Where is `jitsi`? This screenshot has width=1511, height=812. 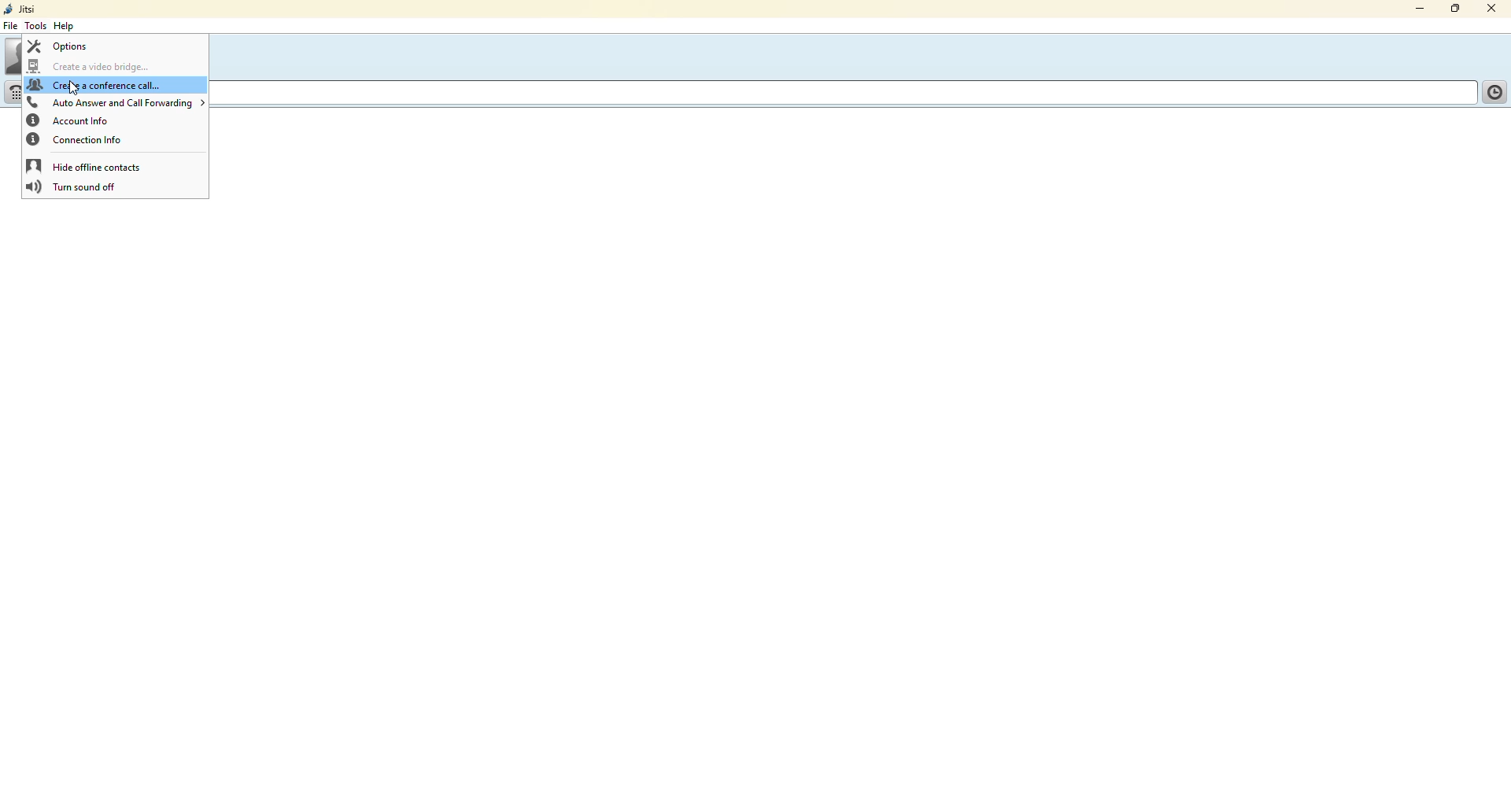
jitsi is located at coordinates (22, 9).